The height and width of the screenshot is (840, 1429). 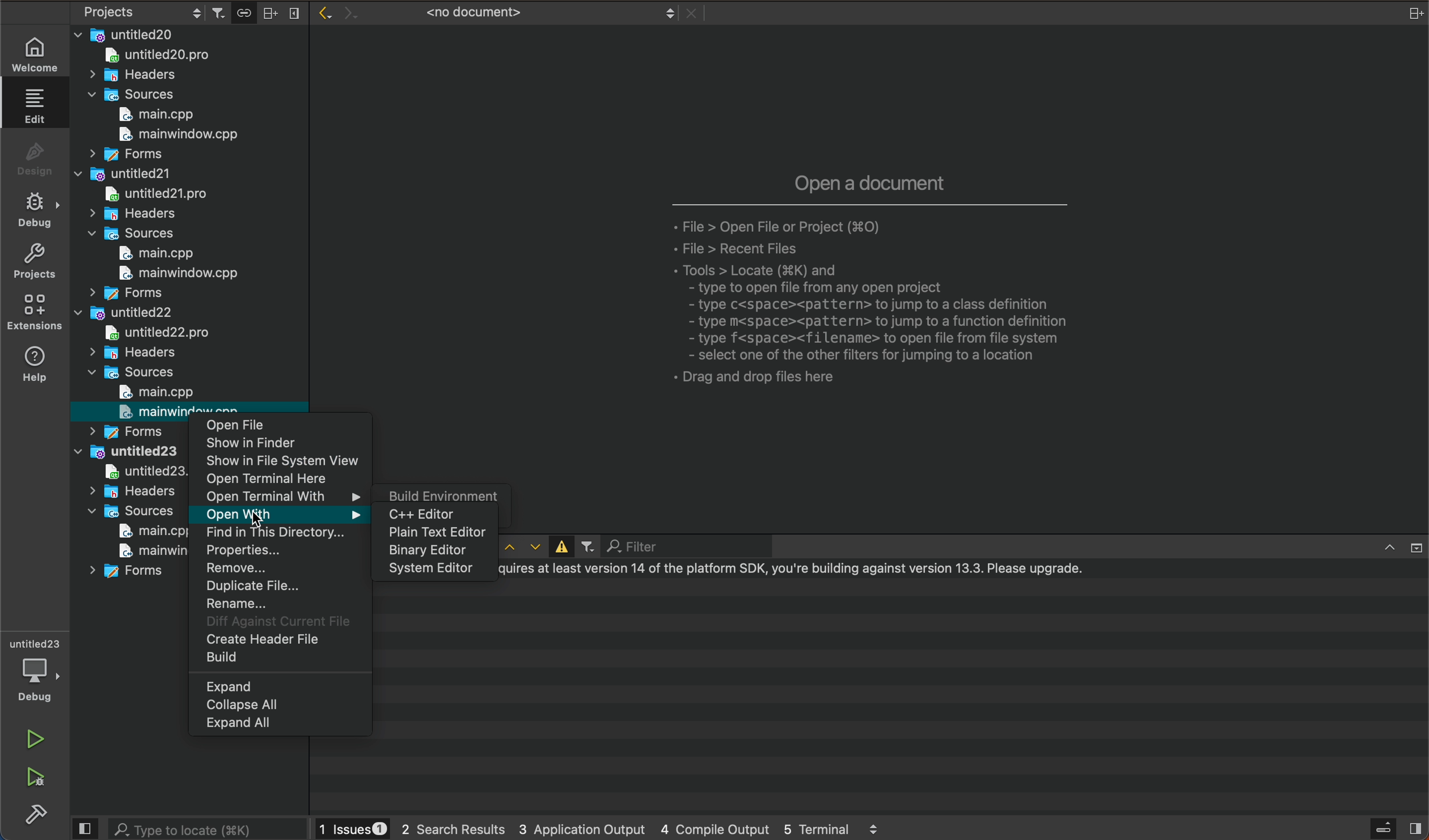 What do you see at coordinates (431, 513) in the screenshot?
I see `editor` at bounding box center [431, 513].